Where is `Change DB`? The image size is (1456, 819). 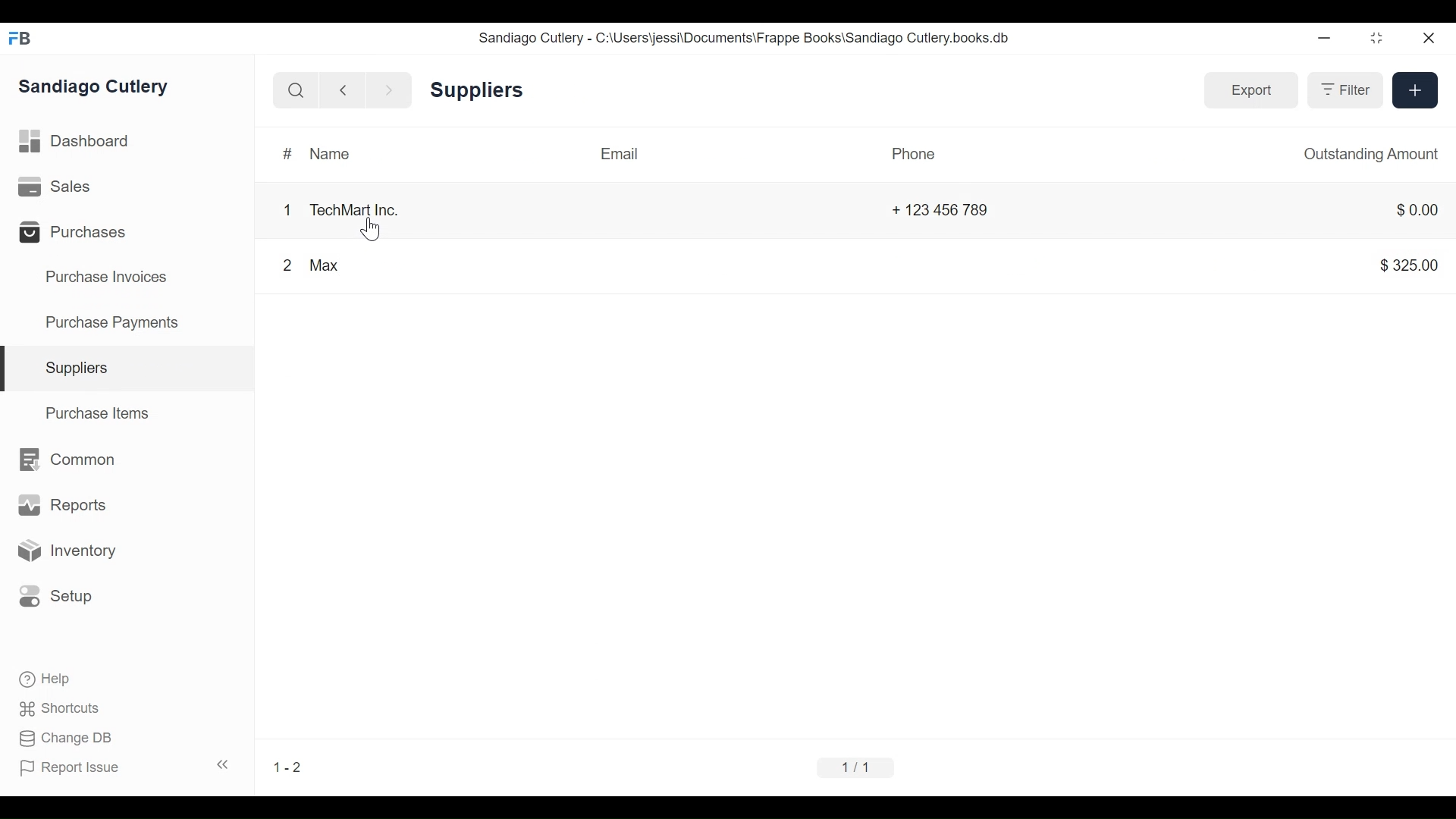 Change DB is located at coordinates (72, 737).